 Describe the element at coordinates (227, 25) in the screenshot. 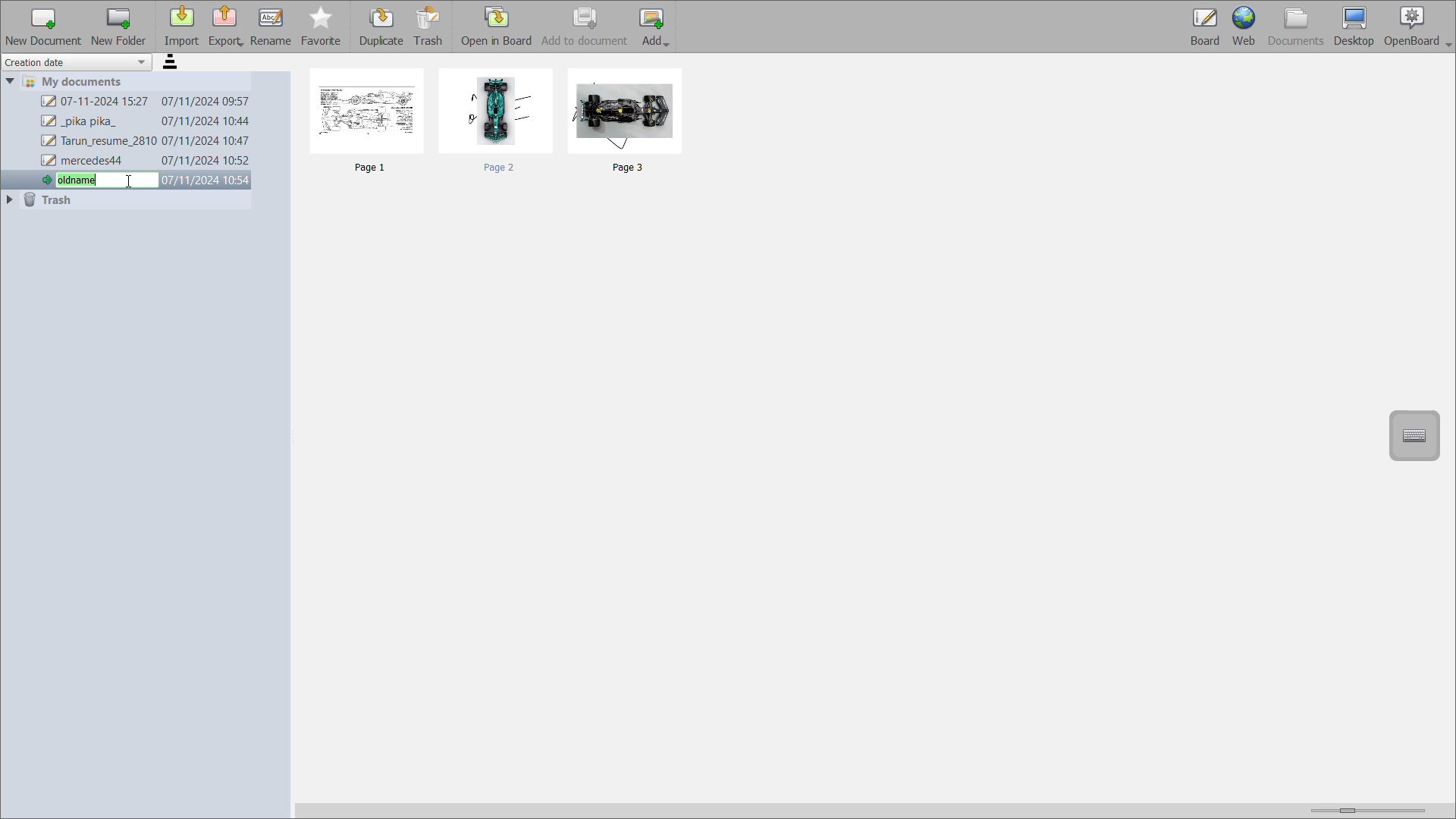

I see `export` at that location.